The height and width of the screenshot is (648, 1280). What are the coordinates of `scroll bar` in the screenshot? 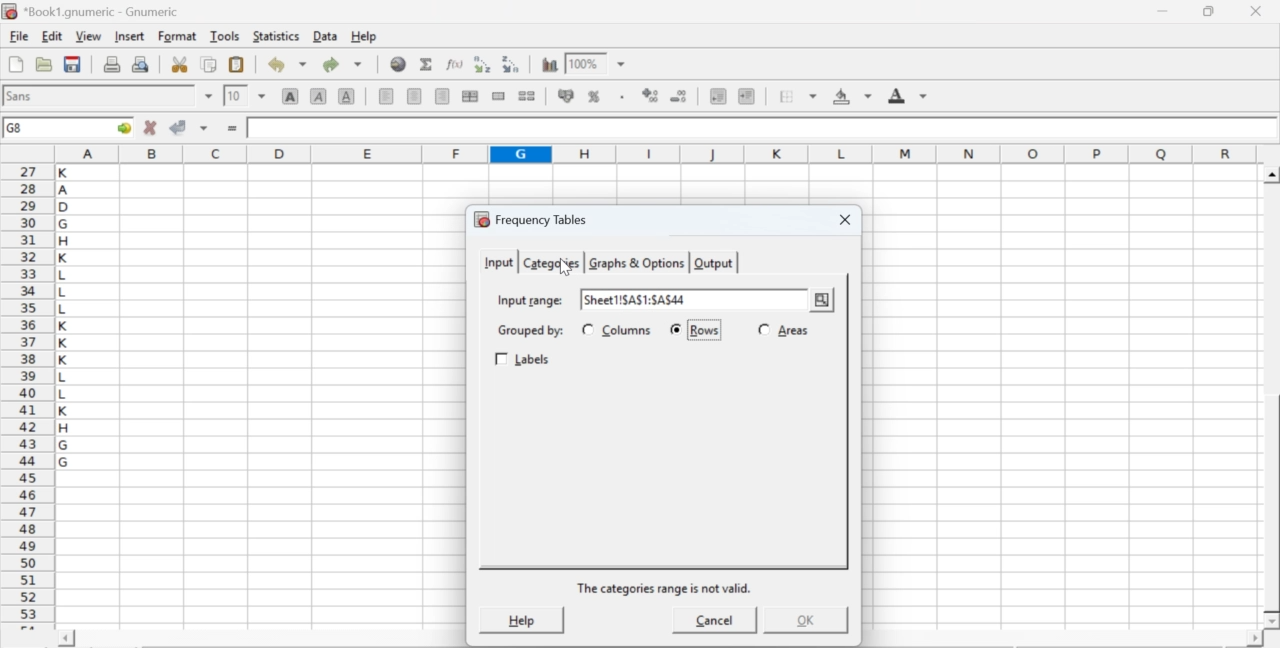 It's located at (1272, 398).